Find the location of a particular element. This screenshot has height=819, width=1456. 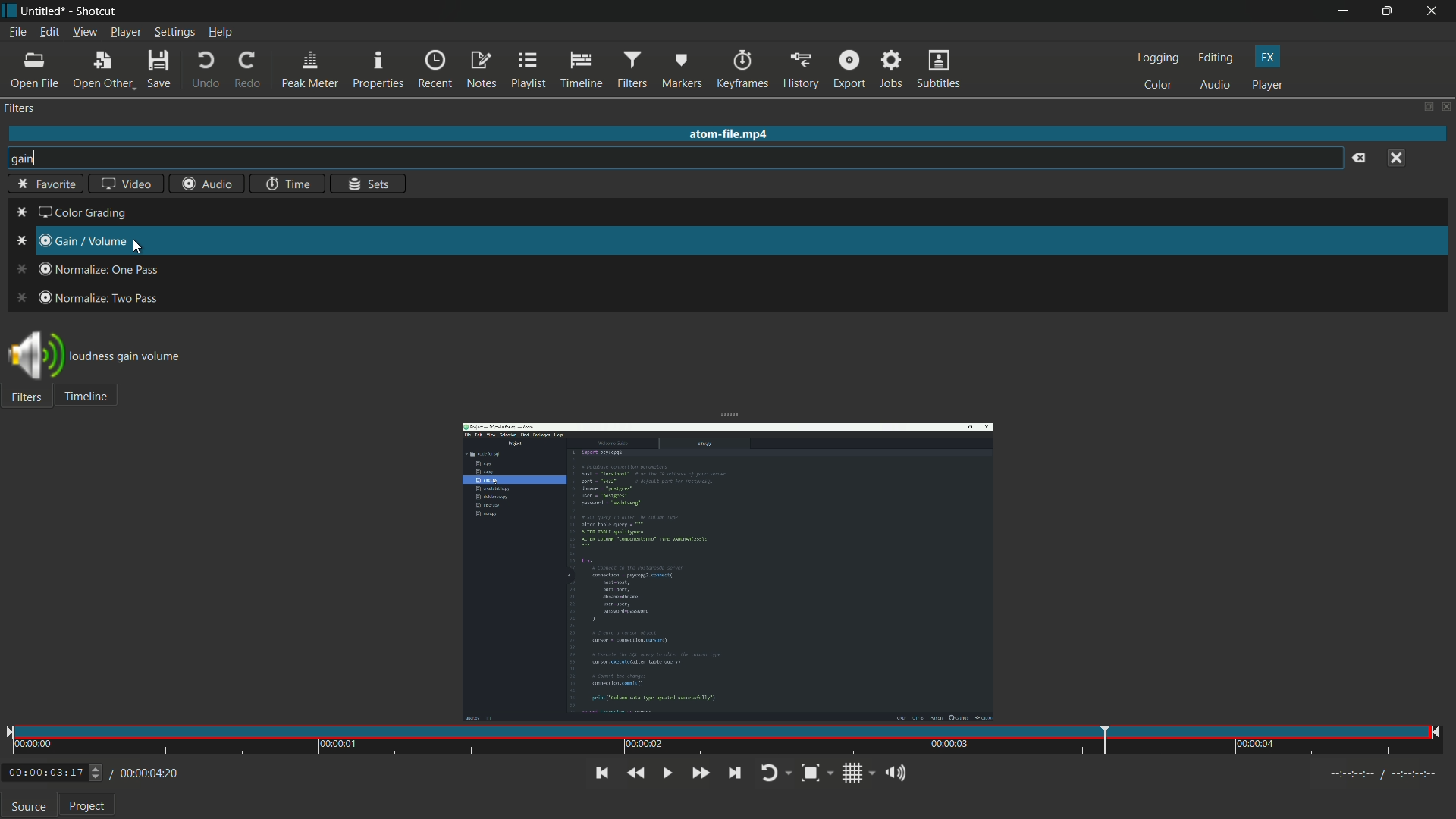

player is located at coordinates (1267, 85).